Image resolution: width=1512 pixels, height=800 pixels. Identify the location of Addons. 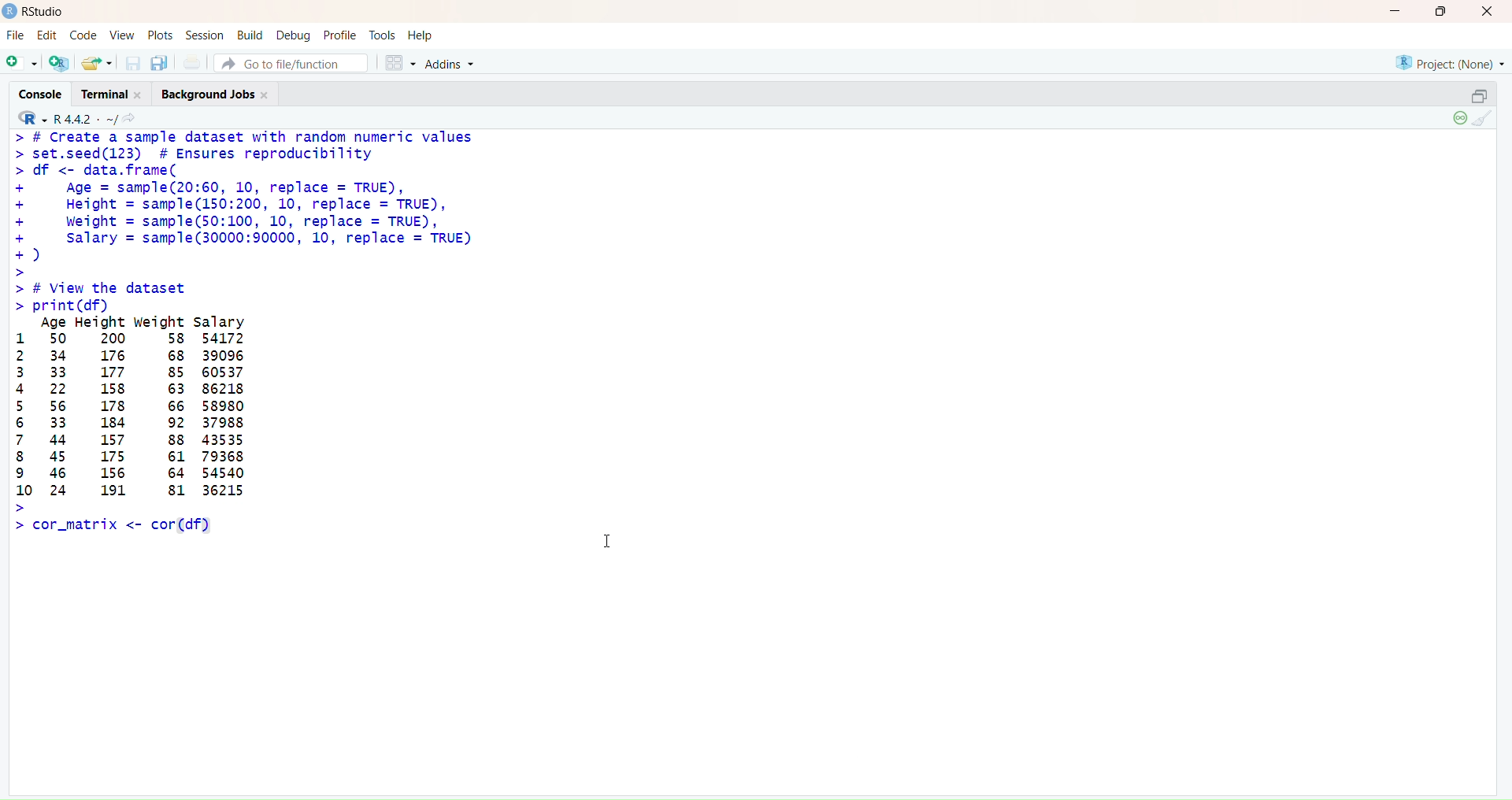
(453, 64).